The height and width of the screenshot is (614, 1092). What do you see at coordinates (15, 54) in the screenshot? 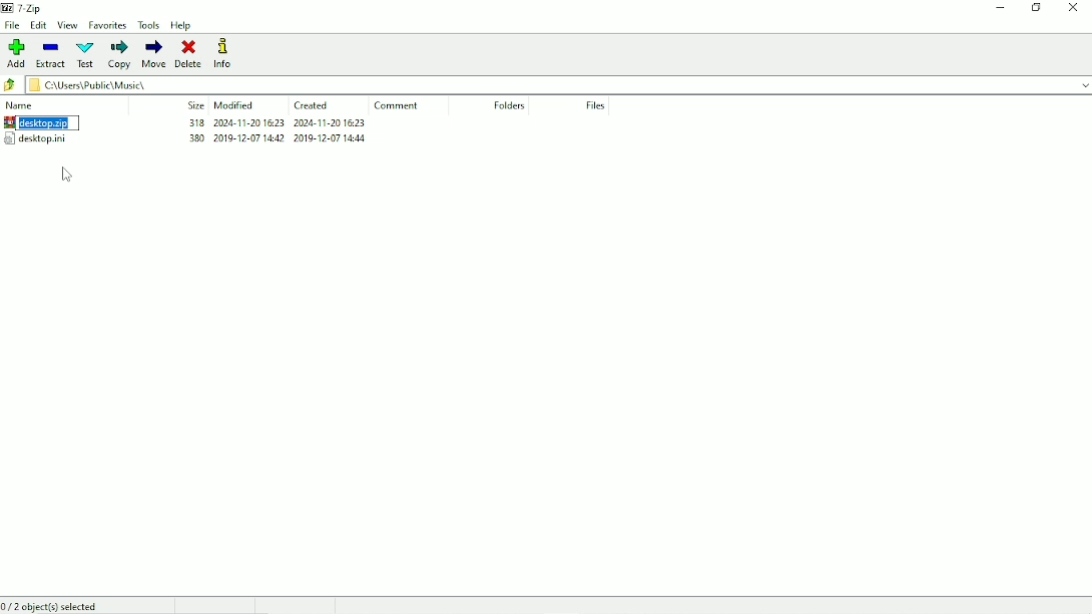
I see `Add` at bounding box center [15, 54].